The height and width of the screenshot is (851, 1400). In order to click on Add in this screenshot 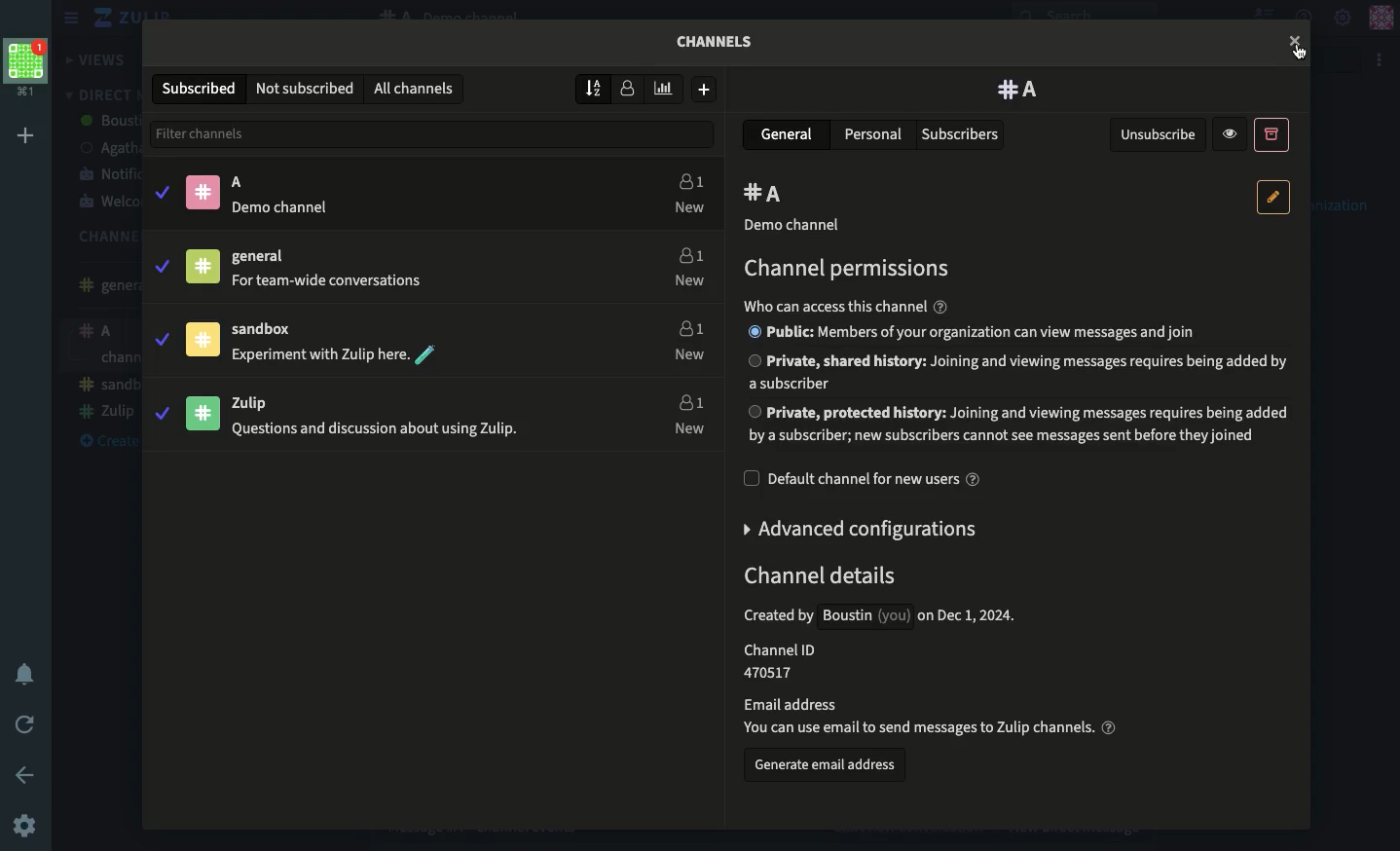, I will do `click(704, 90)`.